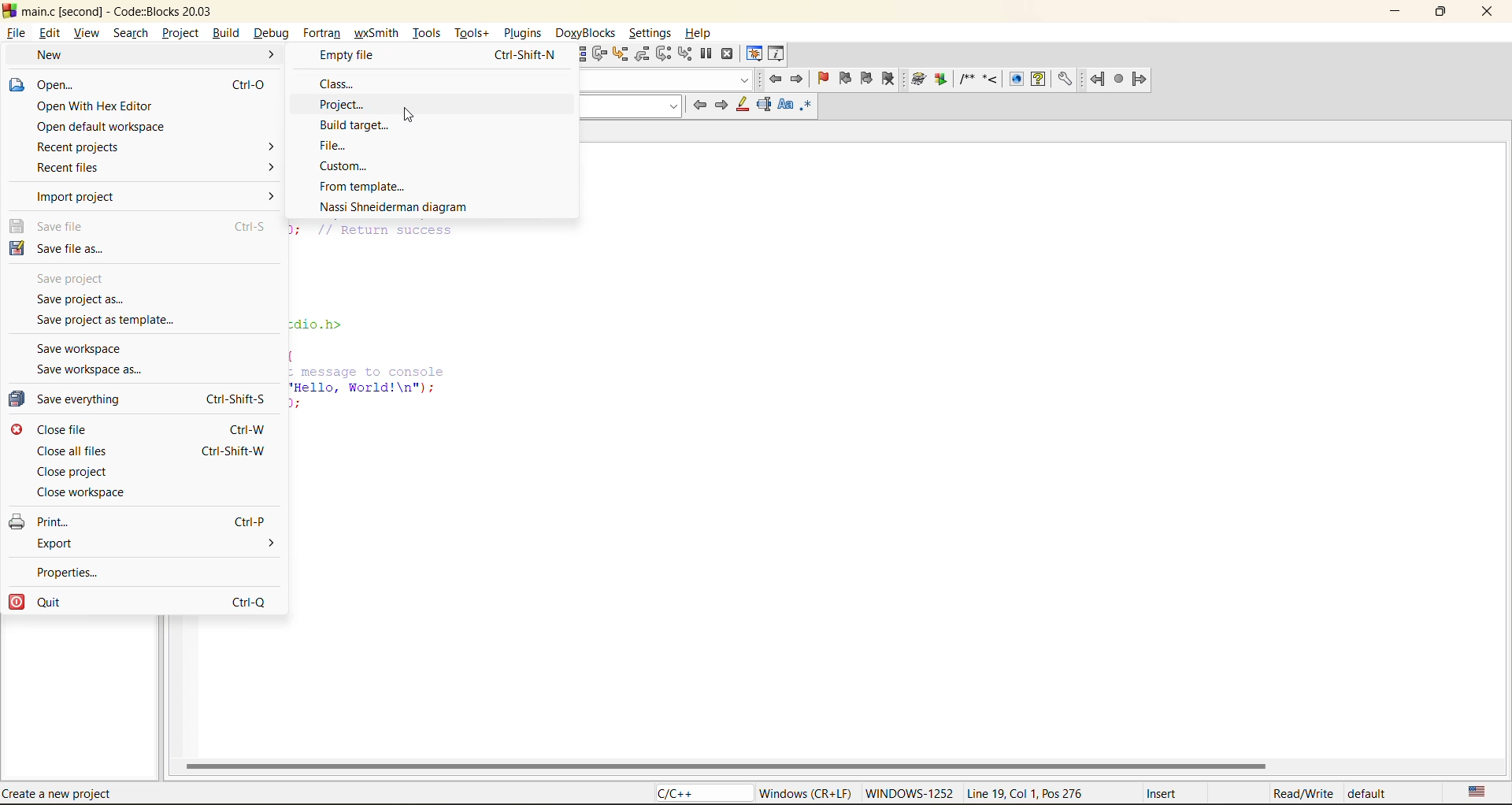 This screenshot has height=805, width=1512. Describe the element at coordinates (620, 54) in the screenshot. I see `step into` at that location.